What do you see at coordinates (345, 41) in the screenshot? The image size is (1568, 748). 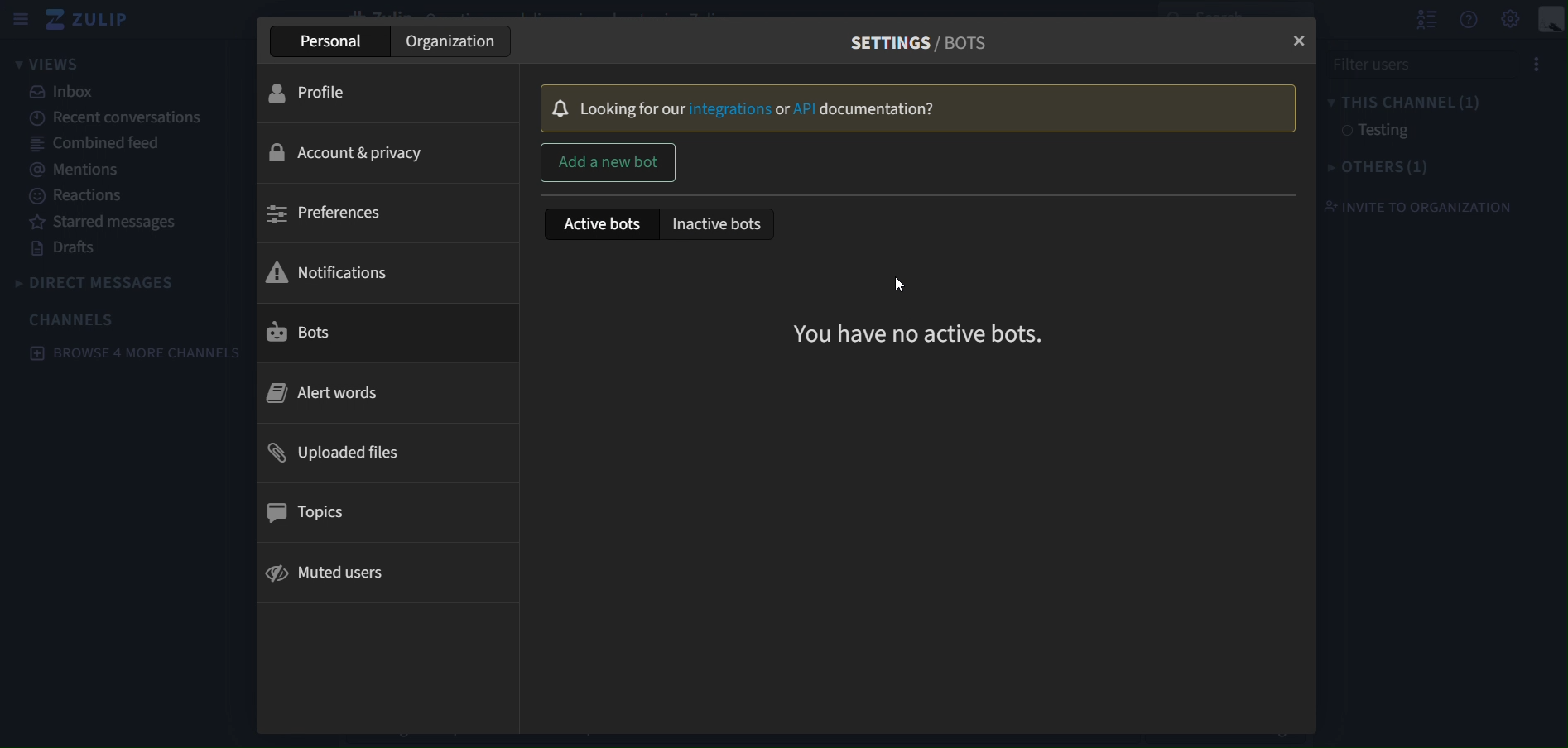 I see `personal` at bounding box center [345, 41].